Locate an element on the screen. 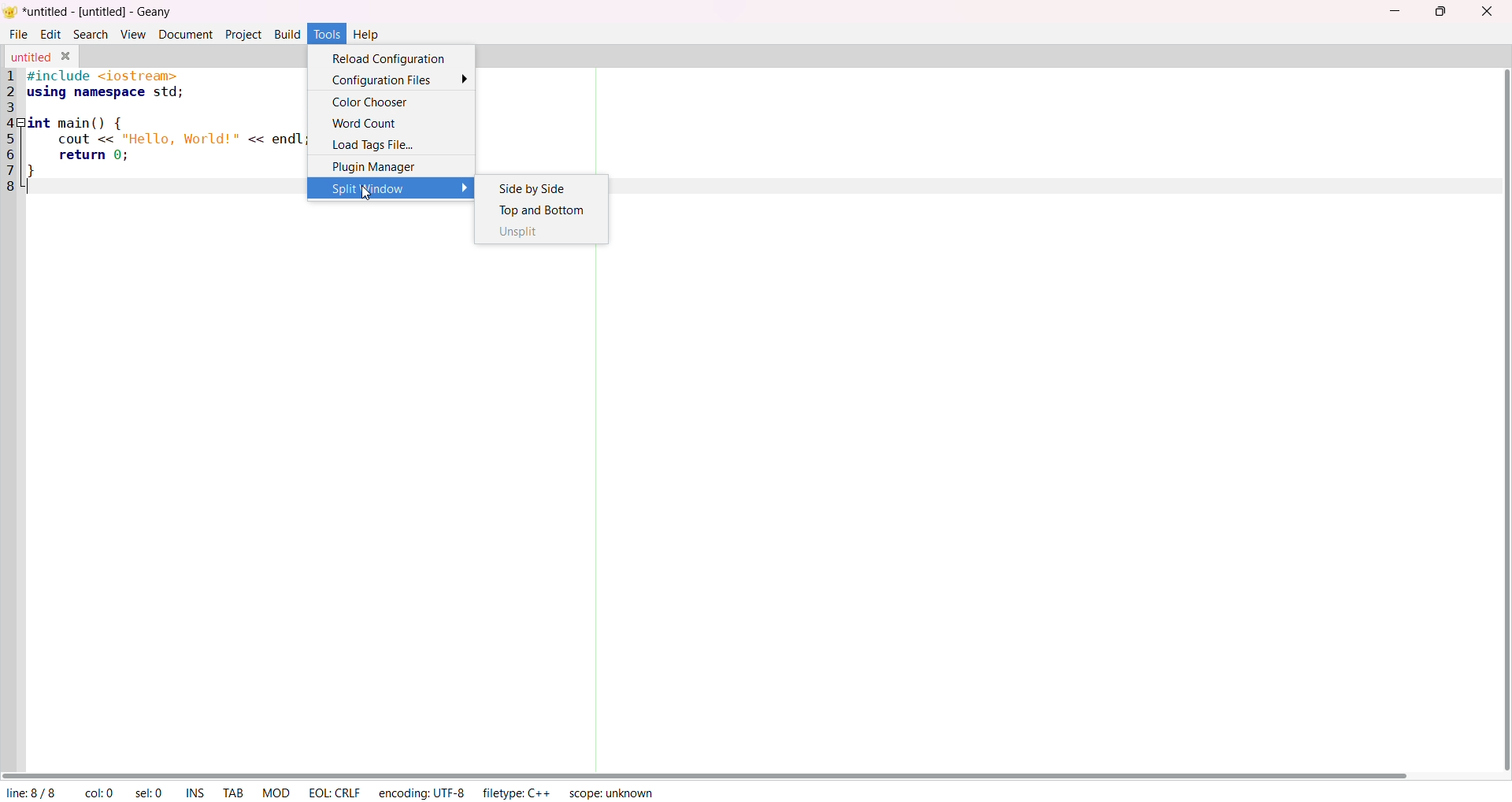 The width and height of the screenshot is (1512, 802). Plugin Manager is located at coordinates (371, 168).